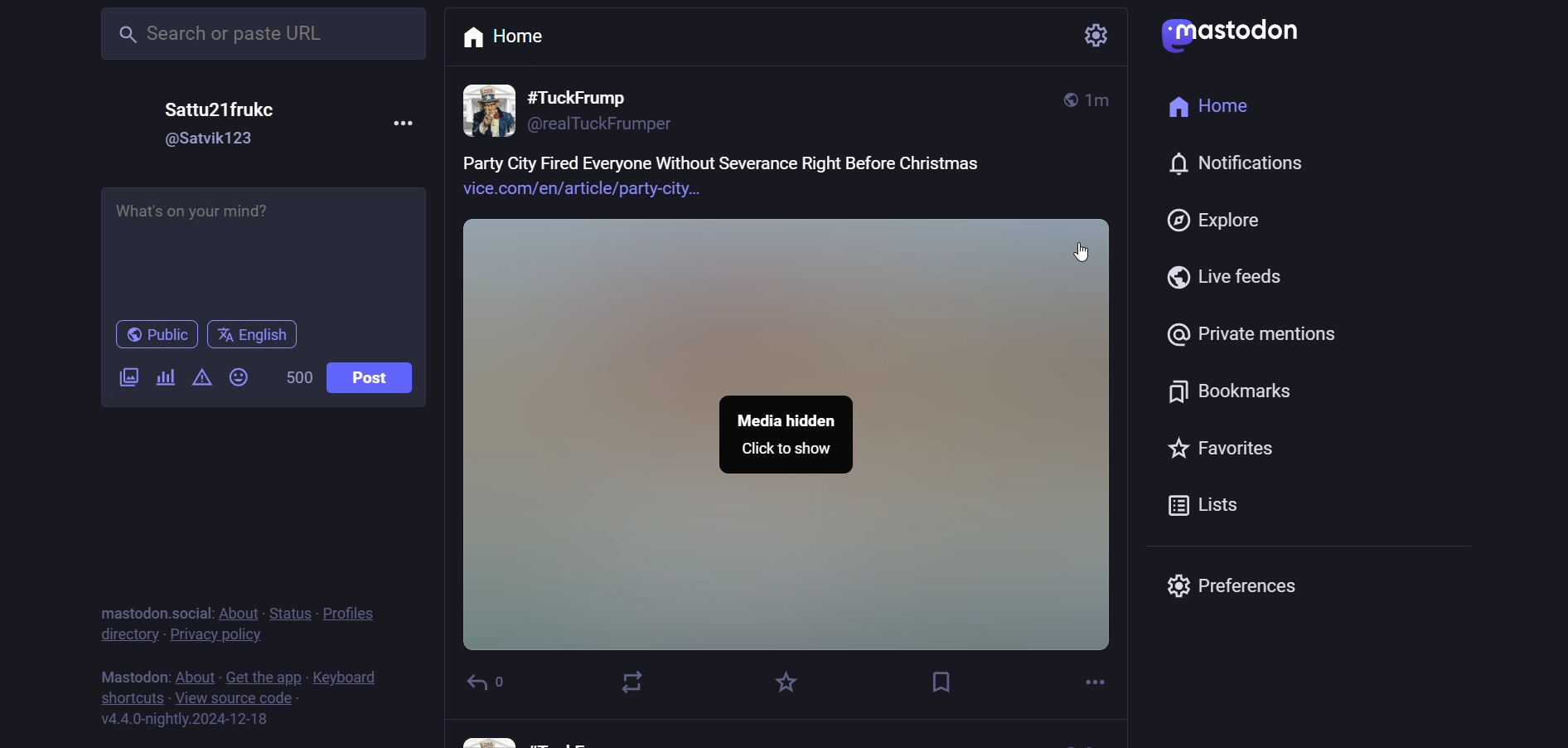 The height and width of the screenshot is (748, 1568). Describe the element at coordinates (262, 32) in the screenshot. I see `Search Bar` at that location.